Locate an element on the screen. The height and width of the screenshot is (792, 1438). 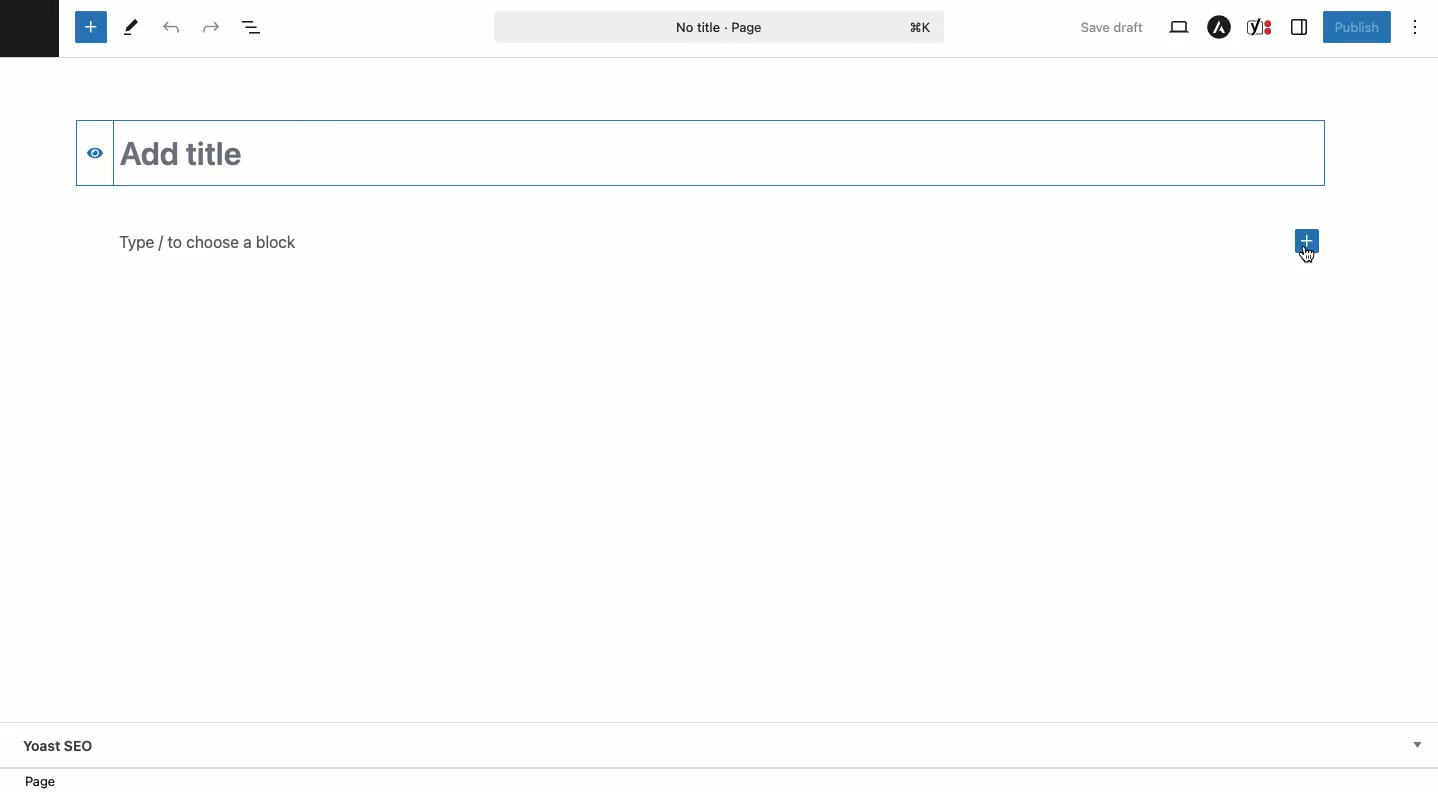
Tools is located at coordinates (132, 27).